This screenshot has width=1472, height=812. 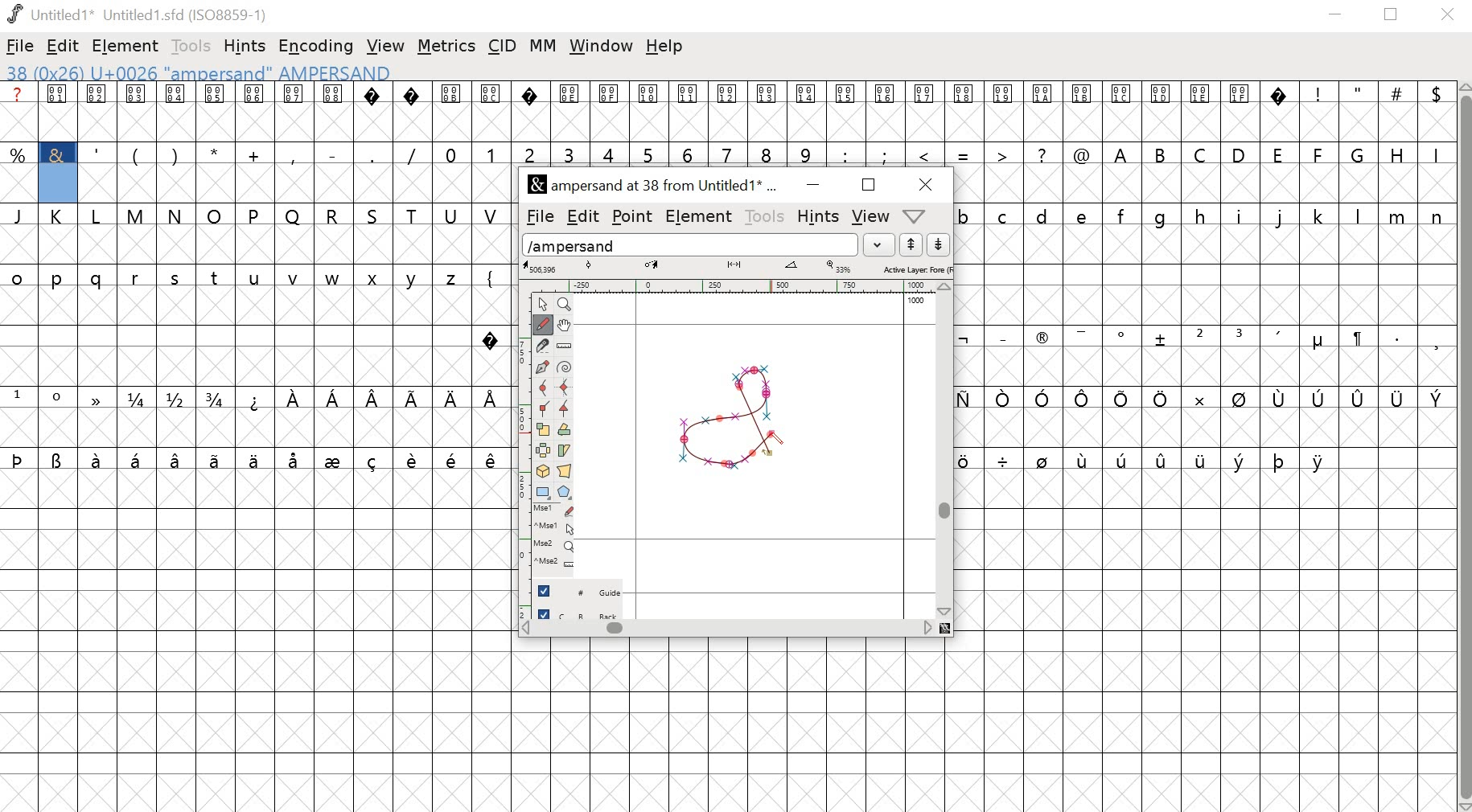 What do you see at coordinates (1436, 342) in the screenshot?
I see `,` at bounding box center [1436, 342].